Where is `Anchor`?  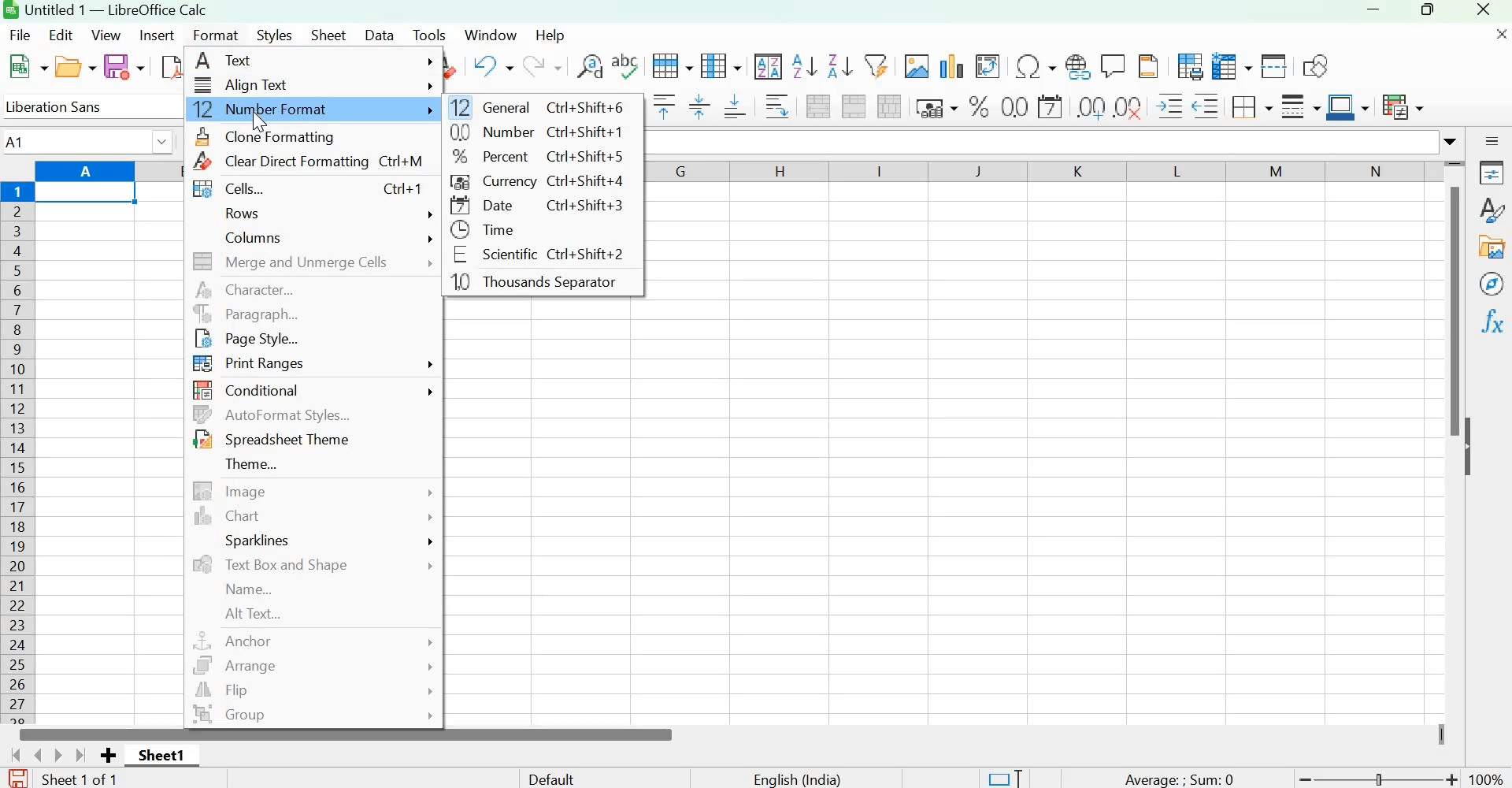
Anchor is located at coordinates (235, 640).